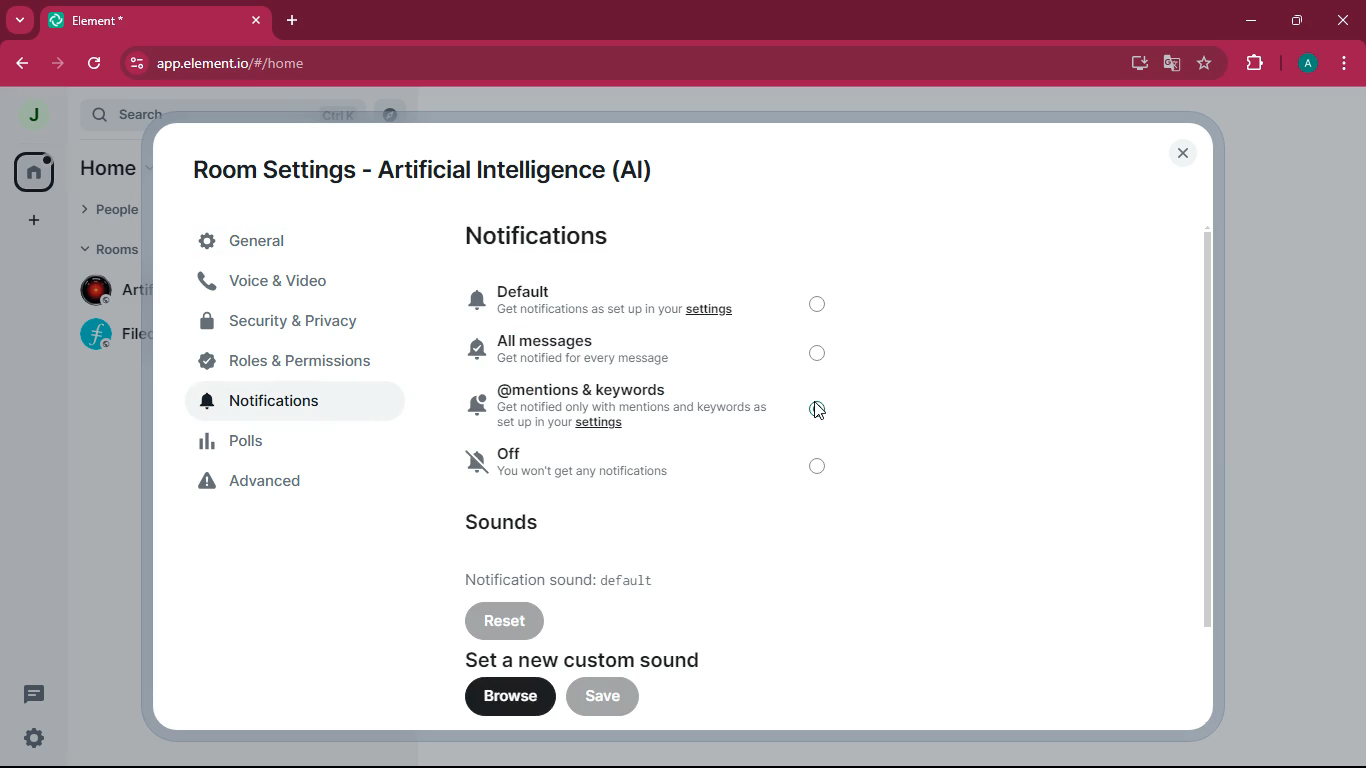  I want to click on save, so click(604, 697).